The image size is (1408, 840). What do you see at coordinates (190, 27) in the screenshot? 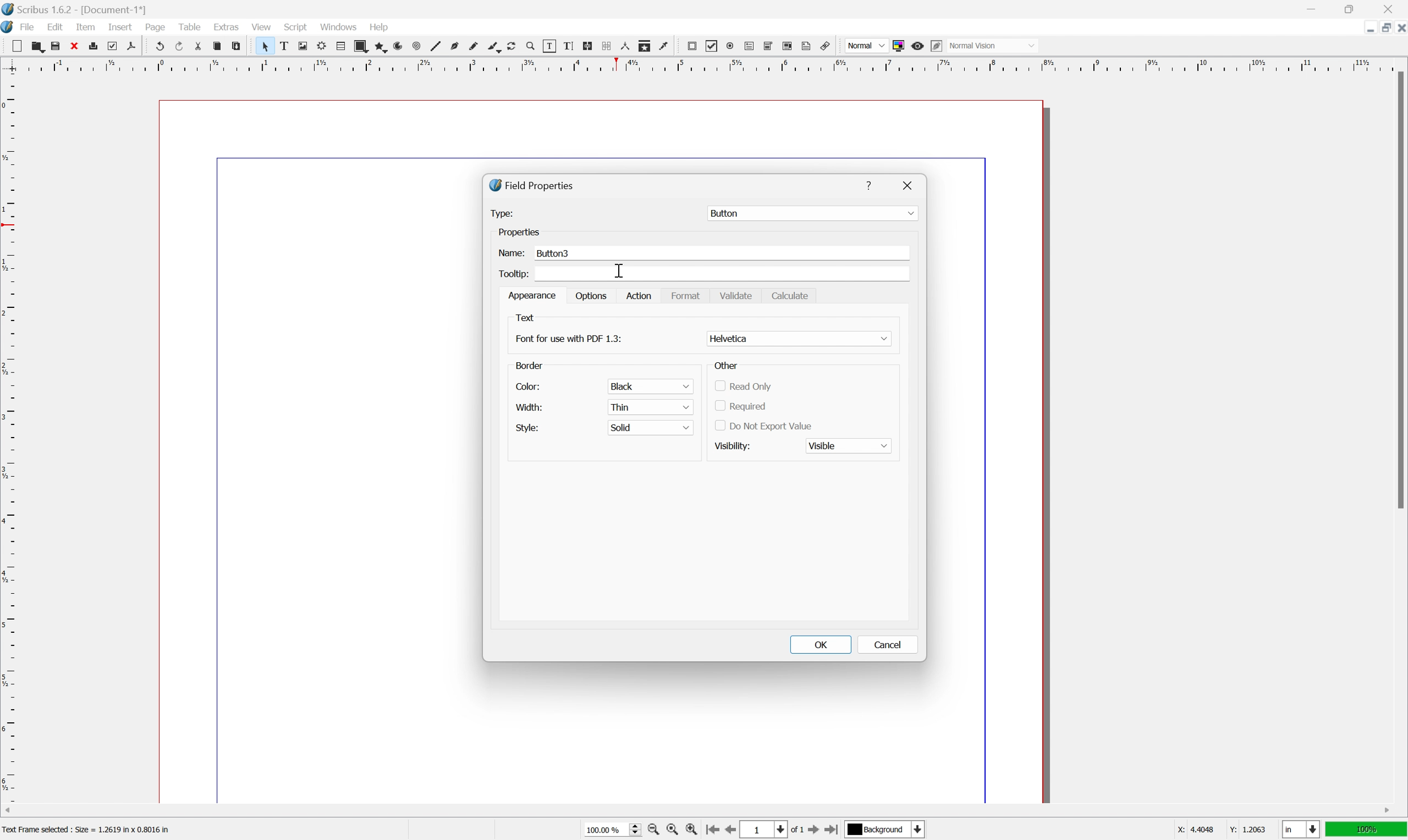
I see `table` at bounding box center [190, 27].